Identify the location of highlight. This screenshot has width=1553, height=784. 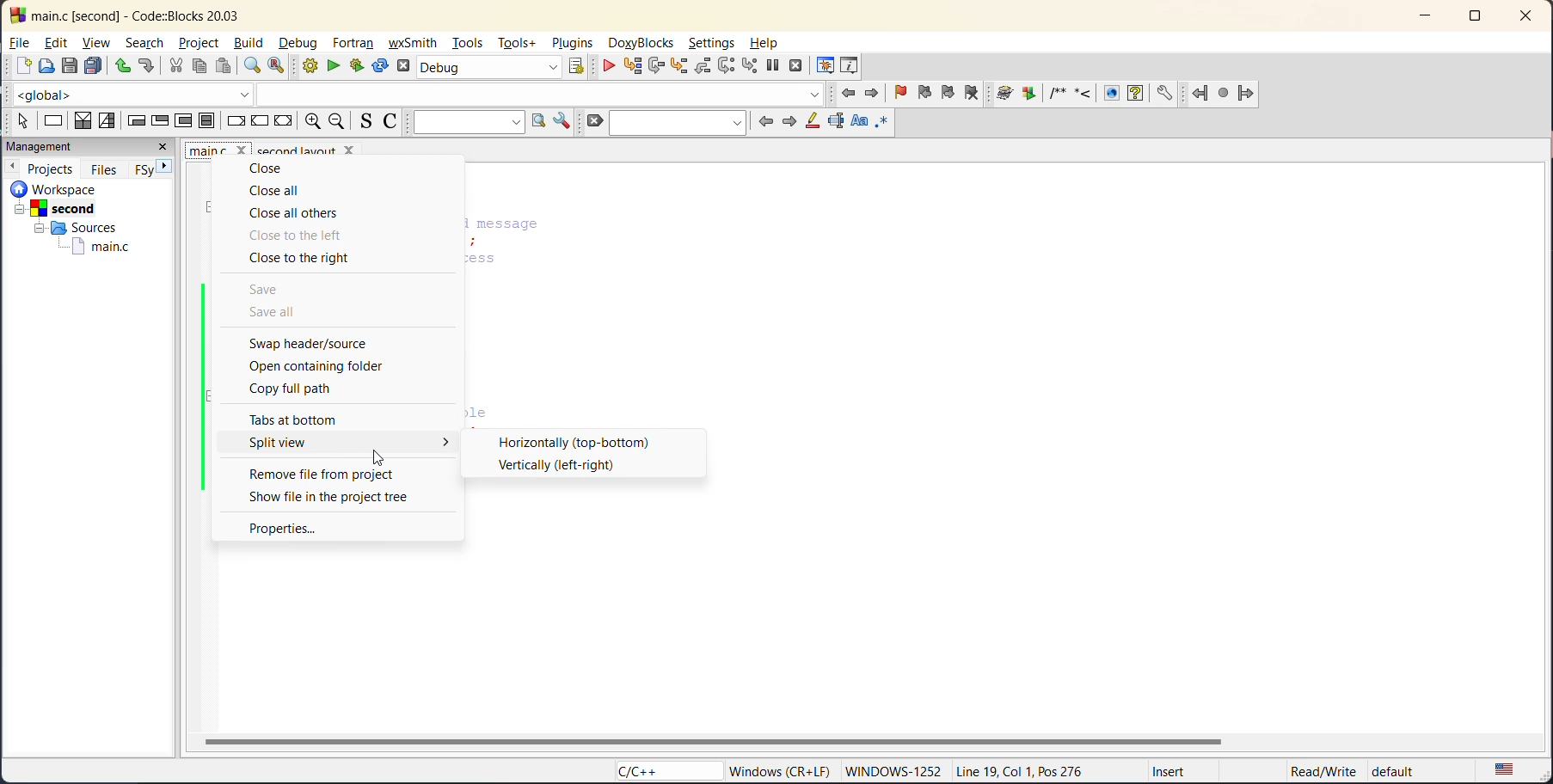
(812, 123).